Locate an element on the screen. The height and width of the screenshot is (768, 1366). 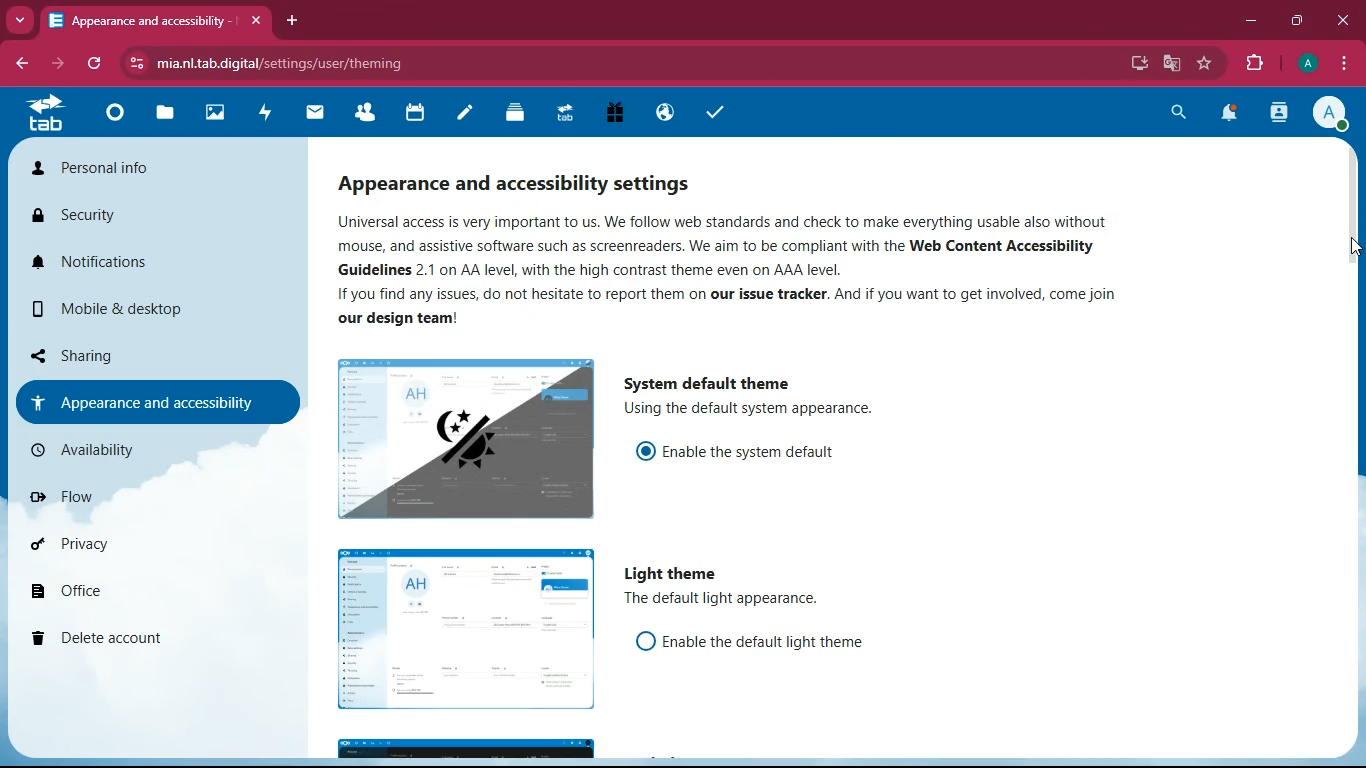
mobile is located at coordinates (102, 313).